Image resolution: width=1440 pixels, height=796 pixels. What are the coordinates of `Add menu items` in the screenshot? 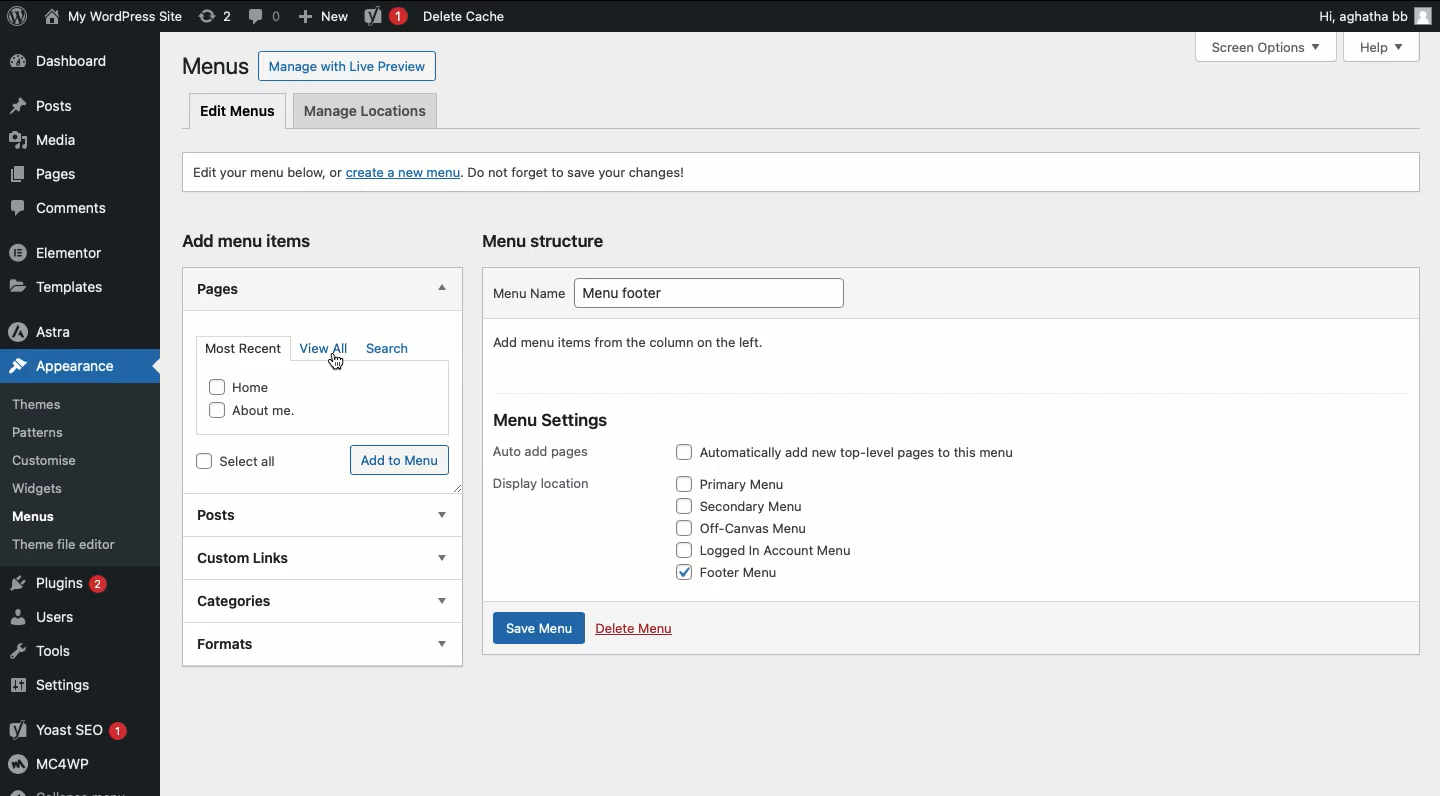 It's located at (252, 240).